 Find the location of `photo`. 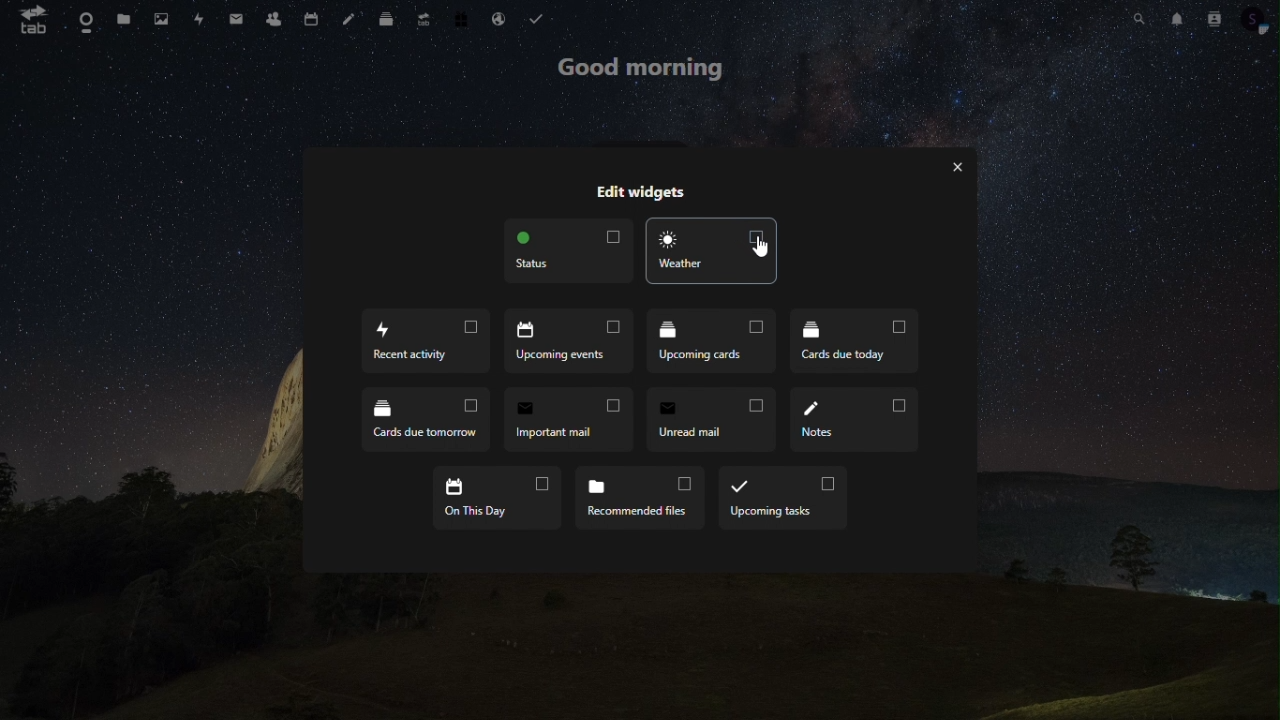

photo is located at coordinates (164, 20).